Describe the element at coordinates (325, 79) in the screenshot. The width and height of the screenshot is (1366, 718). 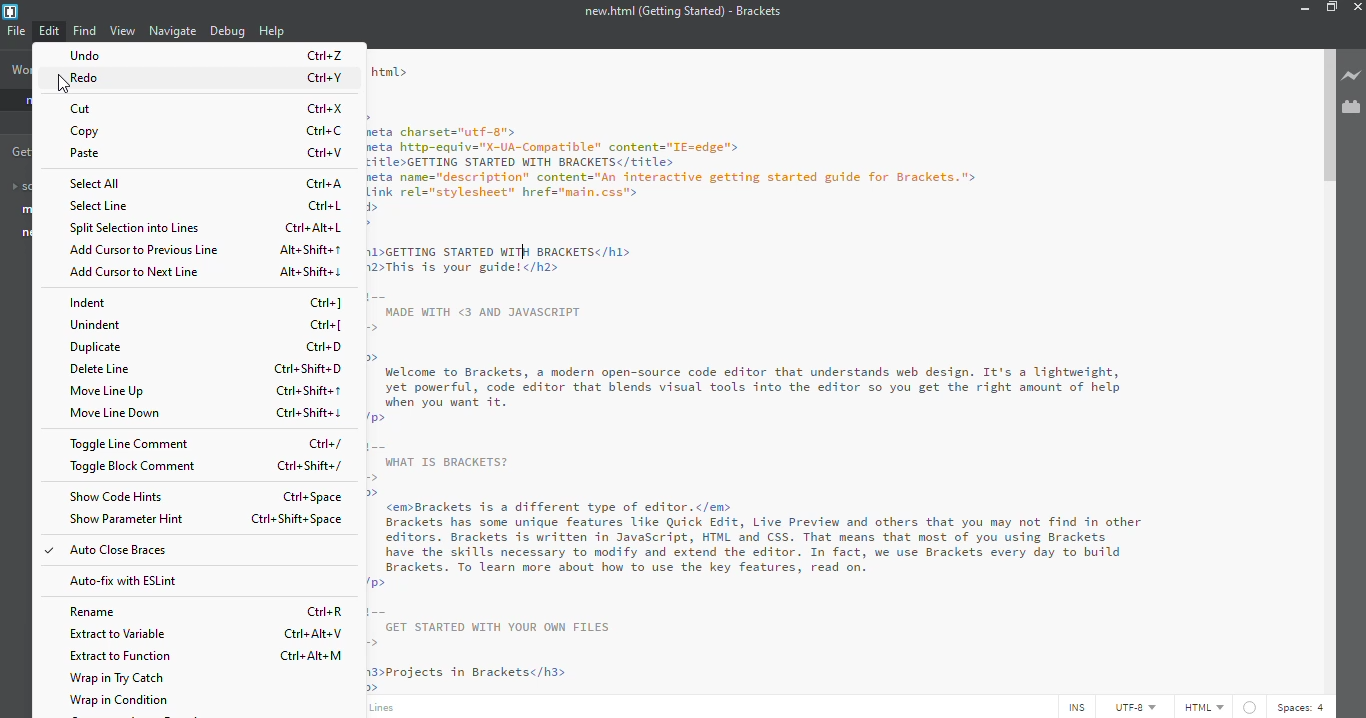
I see `ctrl+y` at that location.